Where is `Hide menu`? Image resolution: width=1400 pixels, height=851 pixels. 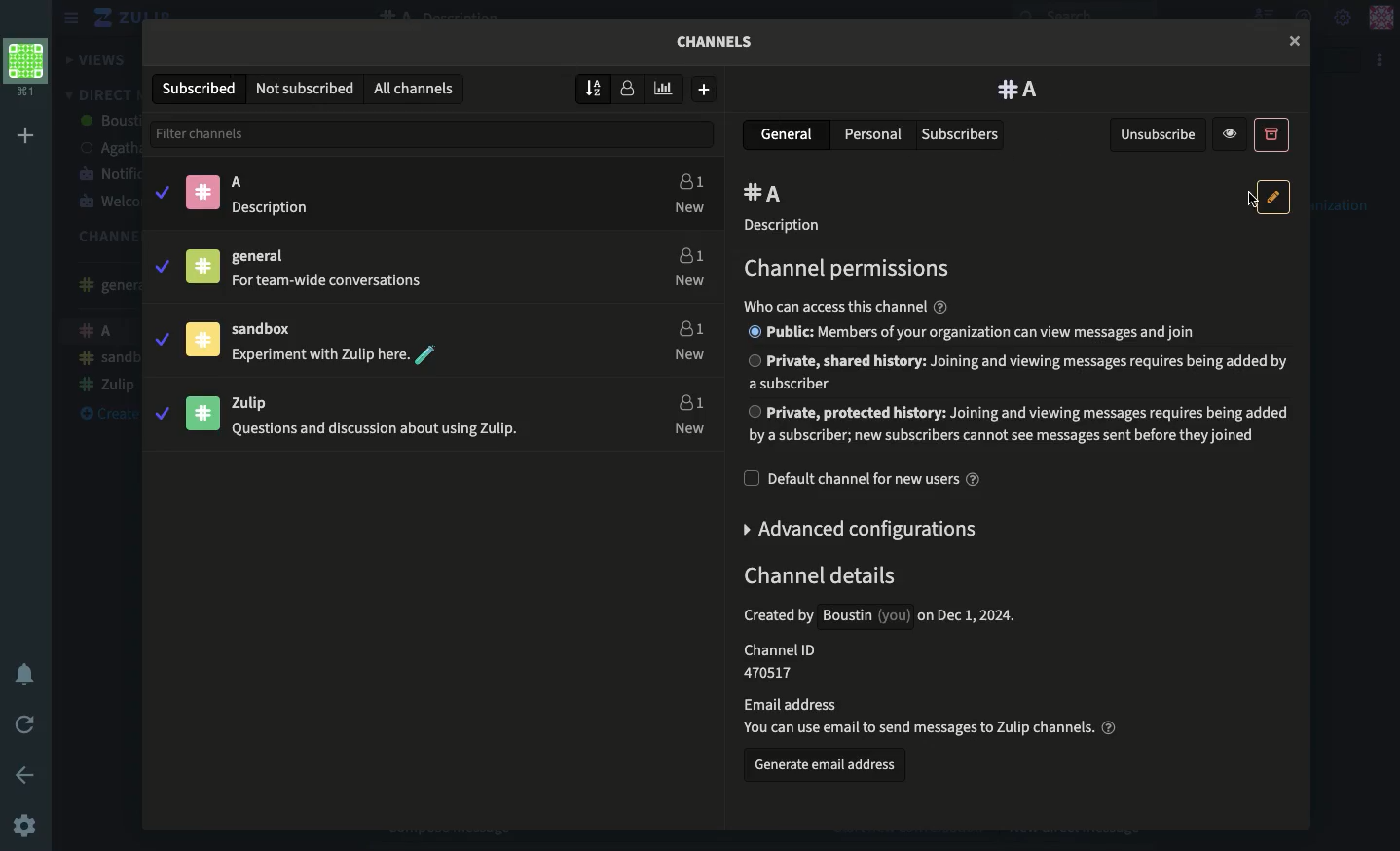
Hide menu is located at coordinates (68, 18).